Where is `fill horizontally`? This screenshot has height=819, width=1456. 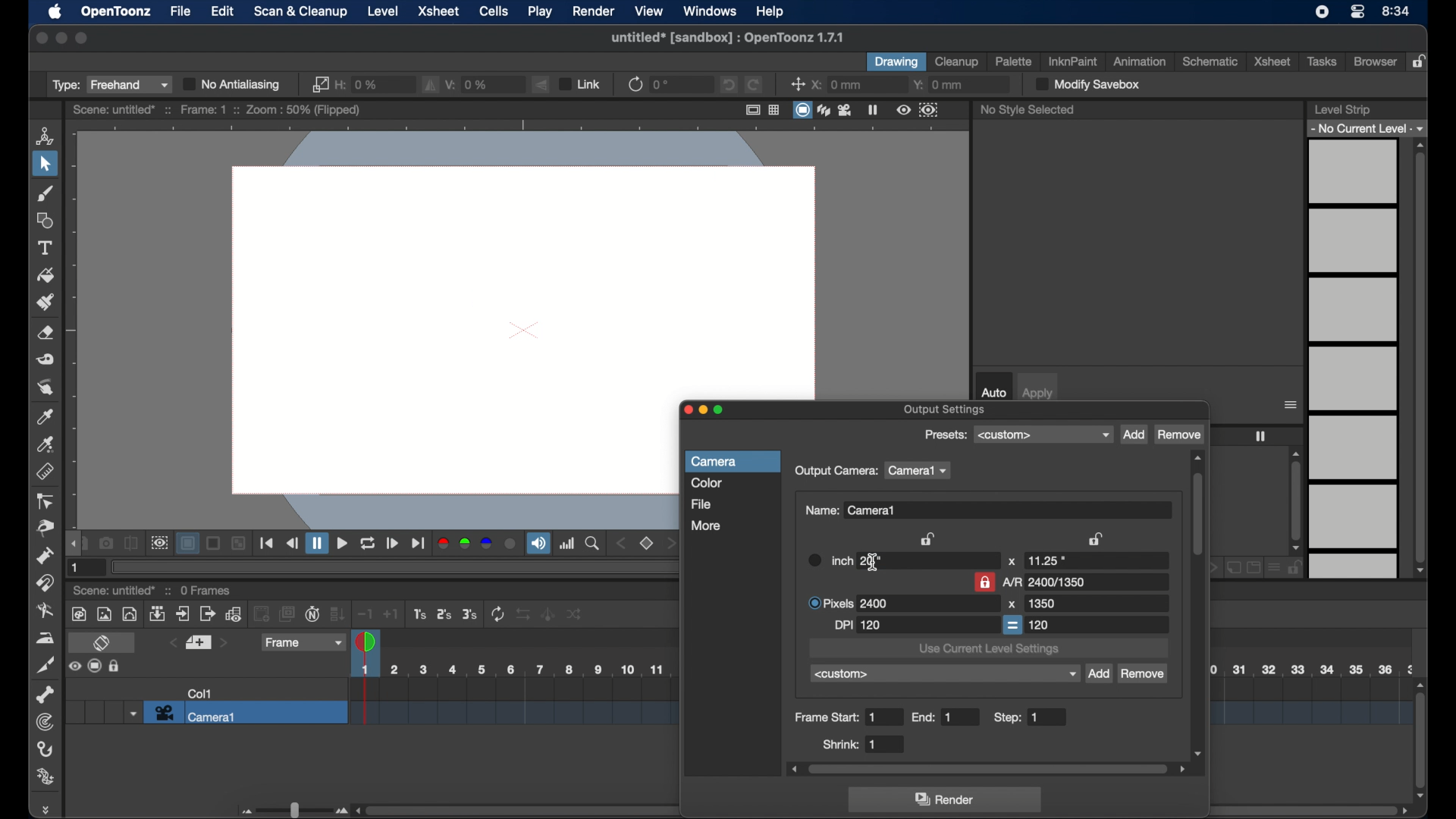
fill horizontally is located at coordinates (431, 84).